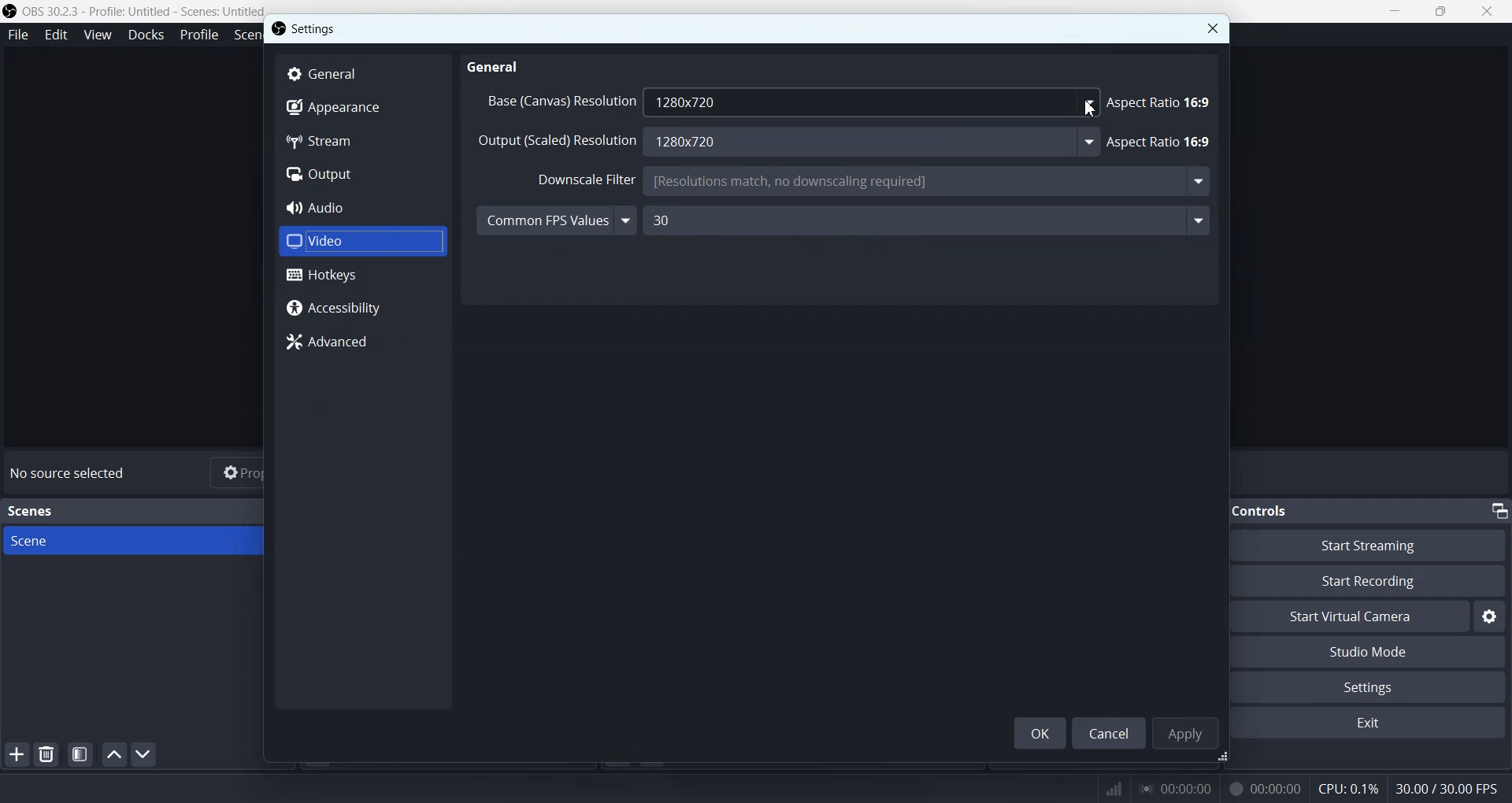  I want to click on Start Streaming, so click(1381, 544).